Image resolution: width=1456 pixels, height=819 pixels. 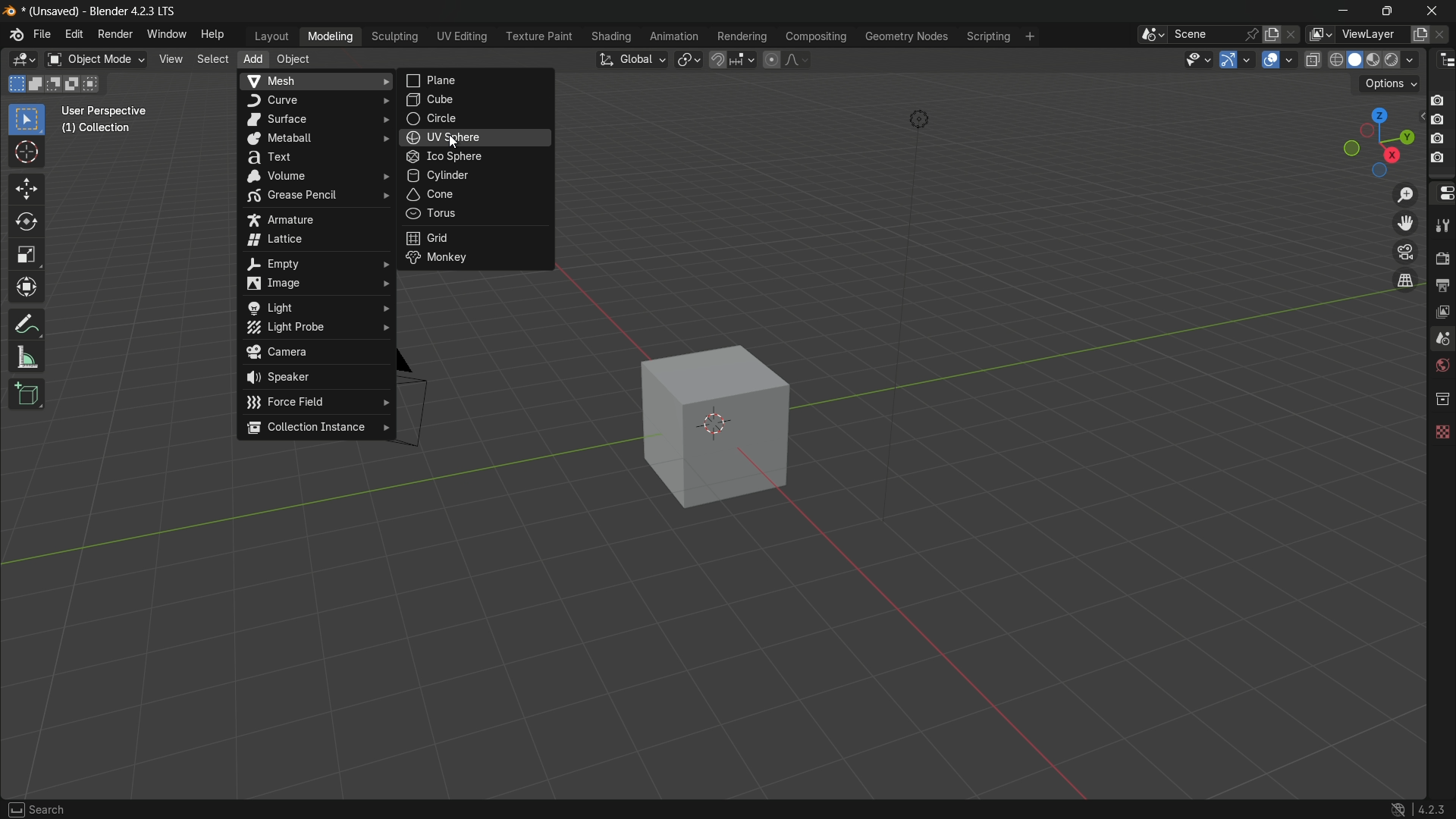 What do you see at coordinates (29, 225) in the screenshot?
I see `rotate` at bounding box center [29, 225].